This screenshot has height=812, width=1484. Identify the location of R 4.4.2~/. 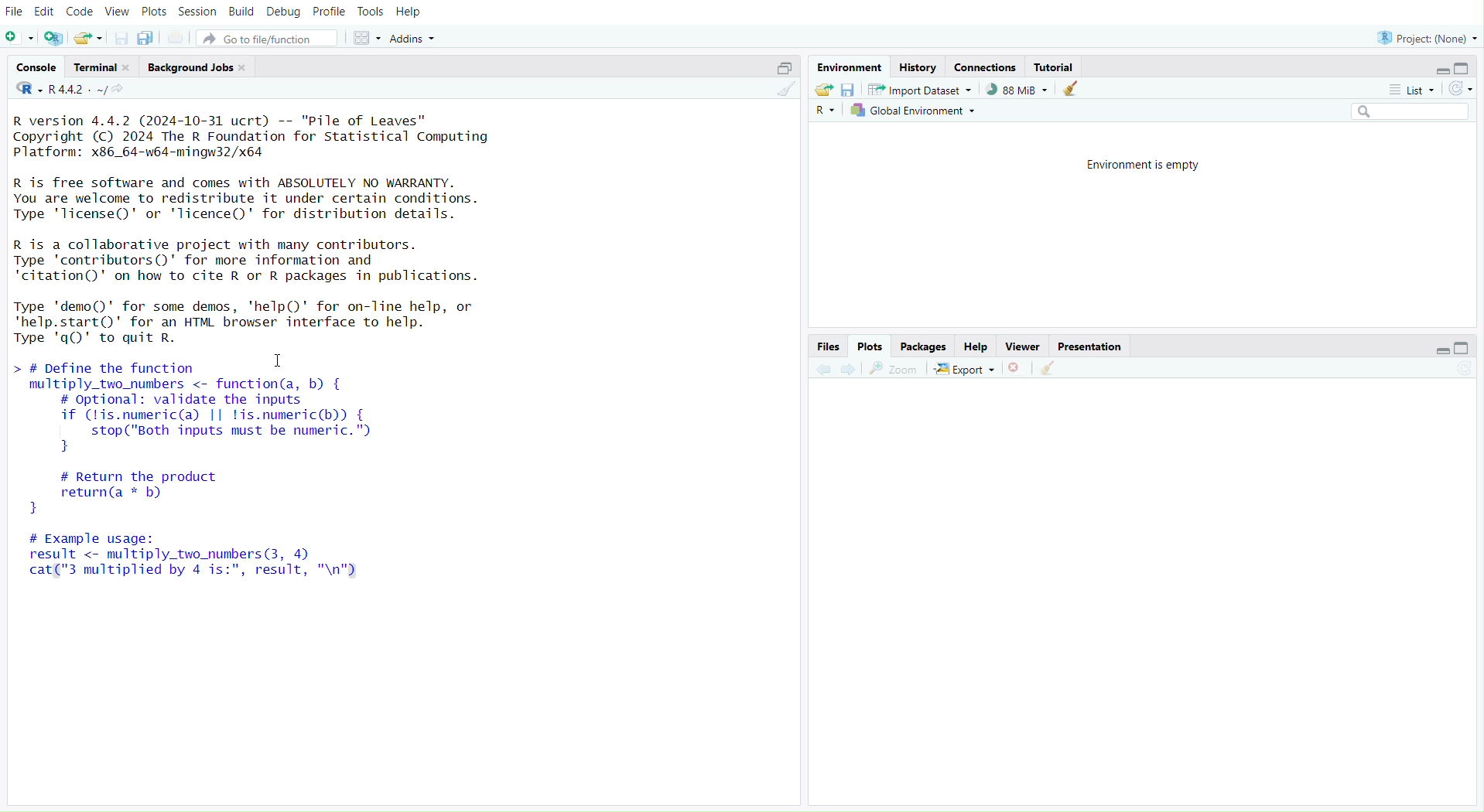
(78, 91).